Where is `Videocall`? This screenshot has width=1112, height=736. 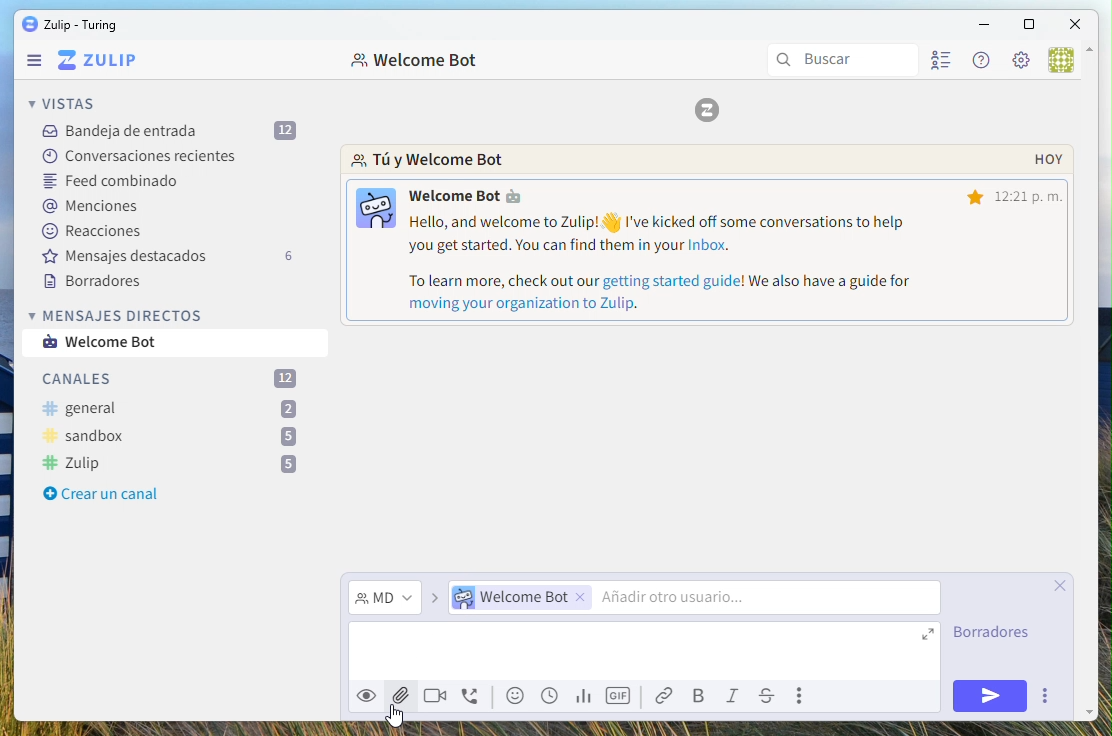 Videocall is located at coordinates (435, 694).